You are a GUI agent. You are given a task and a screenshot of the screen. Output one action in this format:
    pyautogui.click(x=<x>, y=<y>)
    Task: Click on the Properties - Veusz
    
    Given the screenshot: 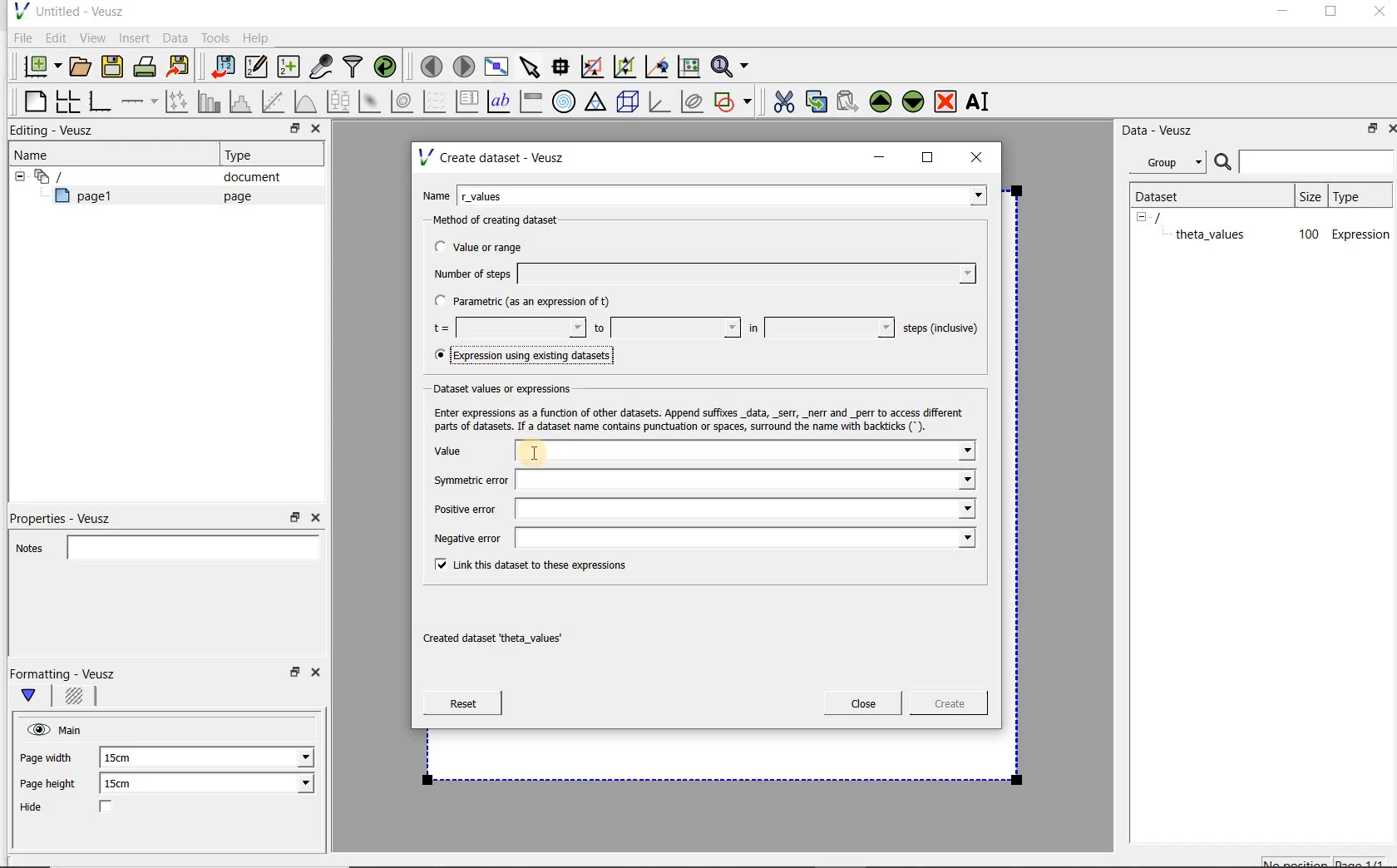 What is the action you would take?
    pyautogui.click(x=69, y=515)
    